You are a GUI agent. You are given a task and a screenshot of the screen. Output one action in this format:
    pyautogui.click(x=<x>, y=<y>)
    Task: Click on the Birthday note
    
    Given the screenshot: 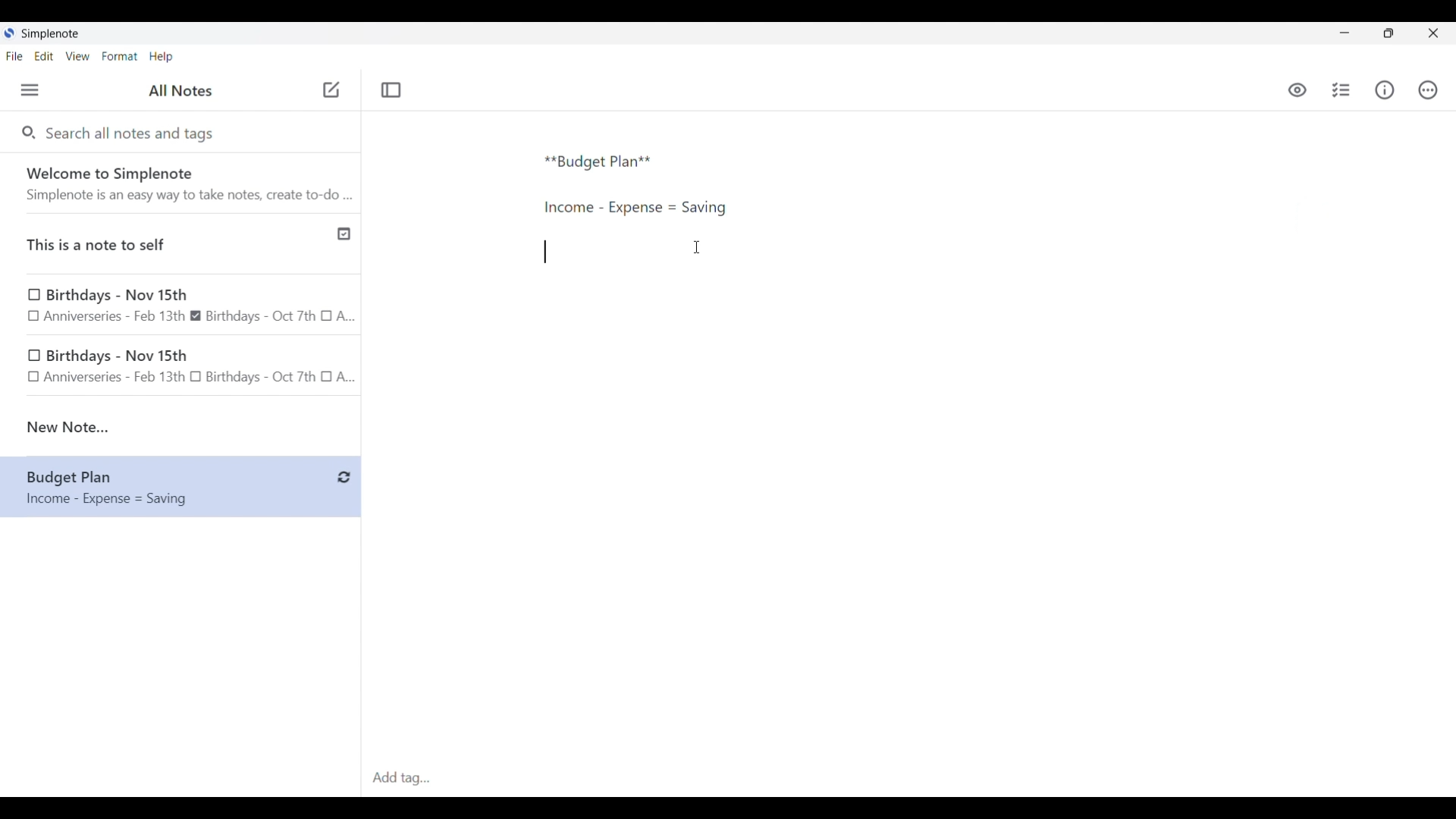 What is the action you would take?
    pyautogui.click(x=181, y=306)
    